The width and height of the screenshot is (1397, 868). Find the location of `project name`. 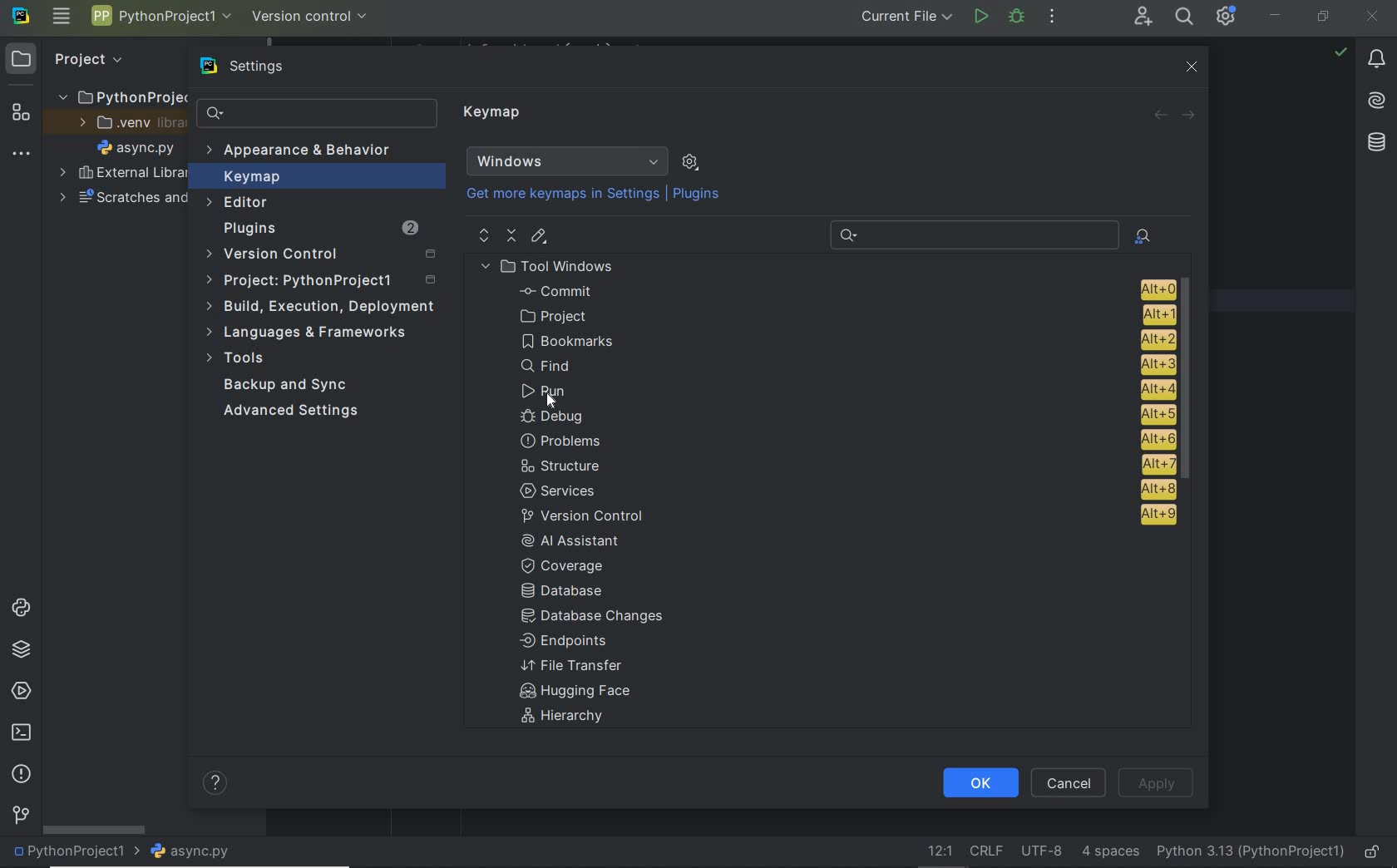

project name is located at coordinates (72, 853).